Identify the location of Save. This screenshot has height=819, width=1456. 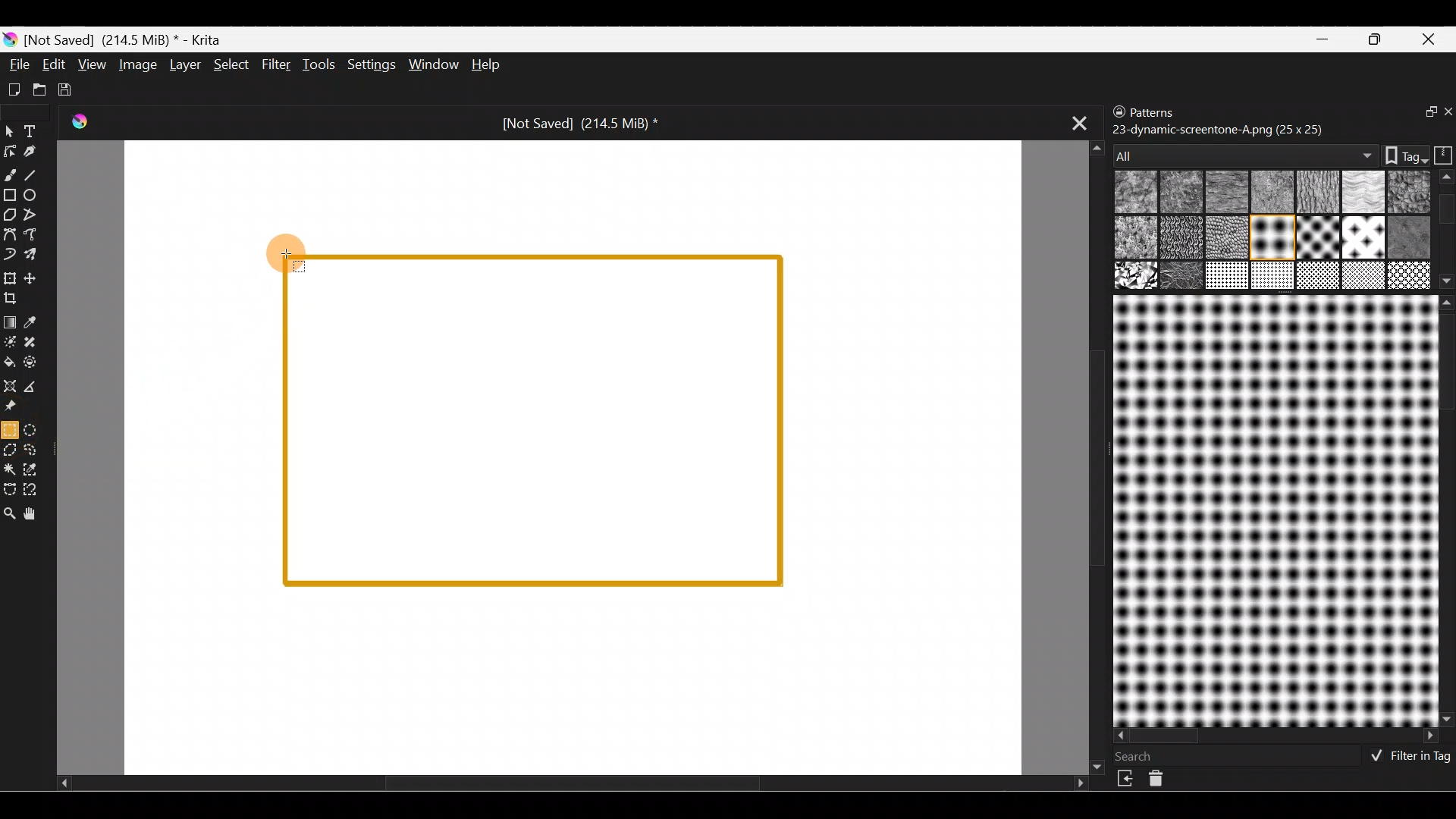
(67, 87).